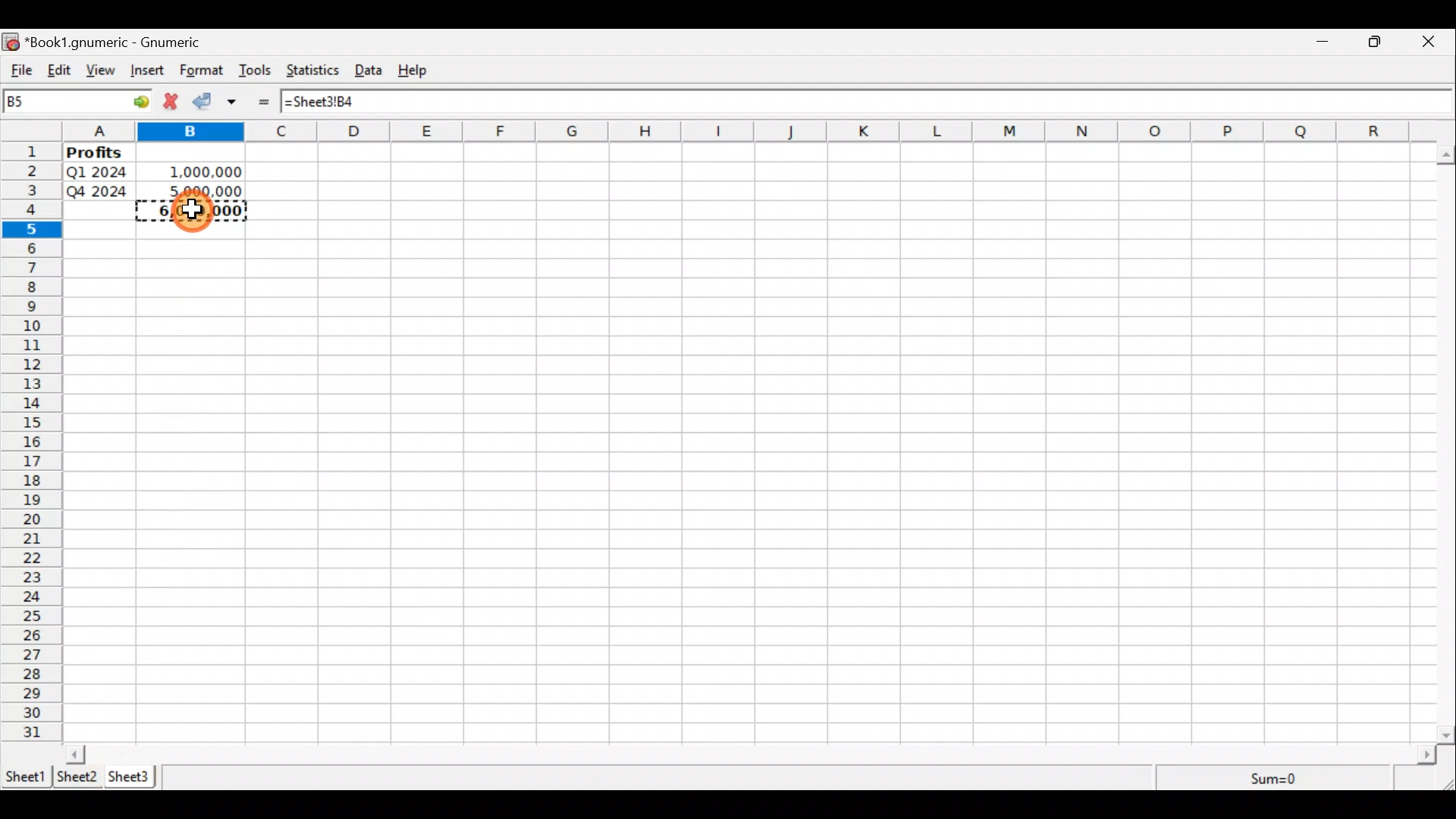 The height and width of the screenshot is (819, 1456). I want to click on Cursor on cell B5, so click(193, 216).